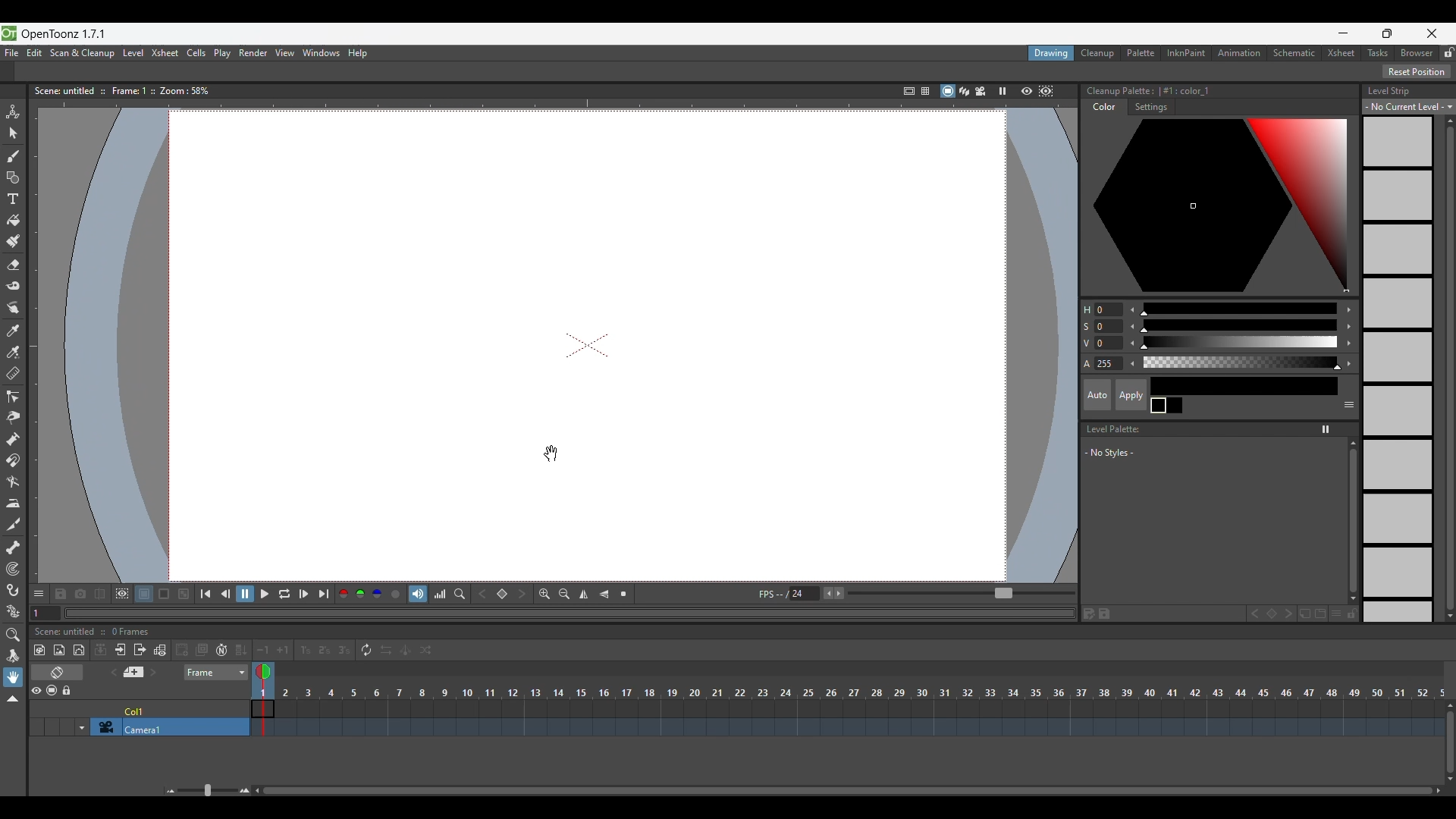 This screenshot has width=1456, height=819. I want to click on Increase step, so click(283, 650).